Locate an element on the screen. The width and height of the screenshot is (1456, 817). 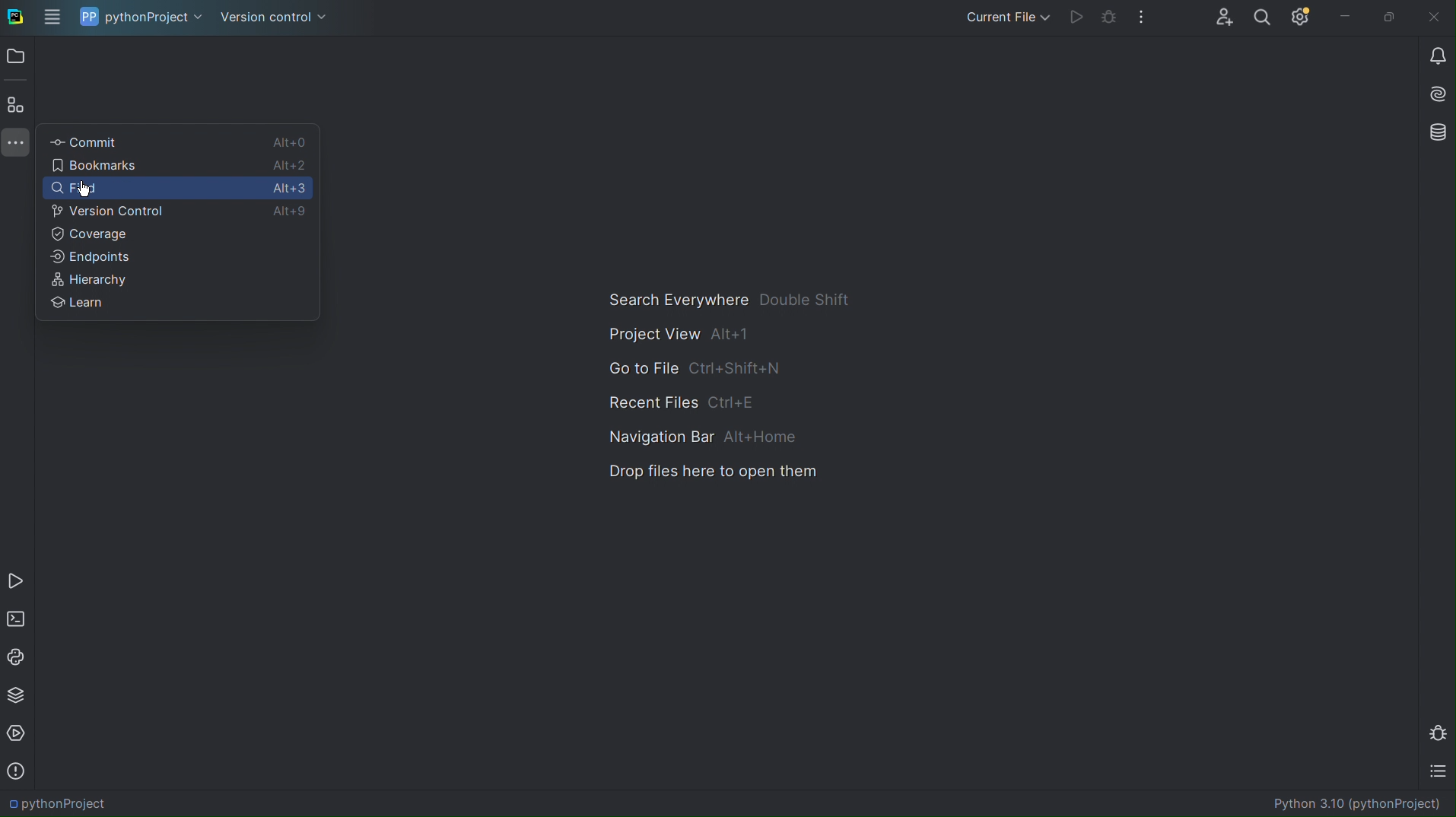
Bookmarks is located at coordinates (96, 166).